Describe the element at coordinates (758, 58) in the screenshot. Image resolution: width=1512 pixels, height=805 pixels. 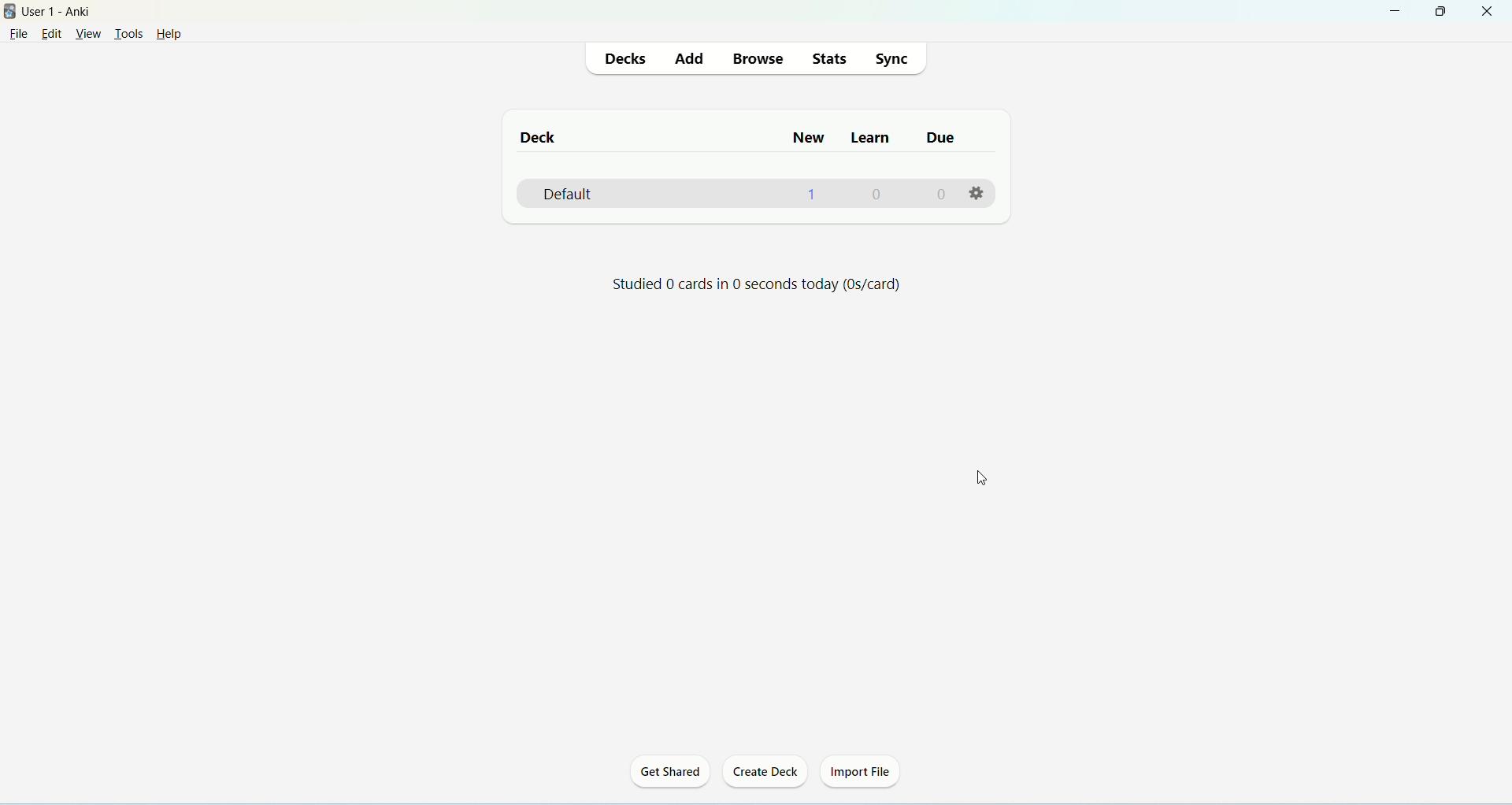
I see `browse` at that location.